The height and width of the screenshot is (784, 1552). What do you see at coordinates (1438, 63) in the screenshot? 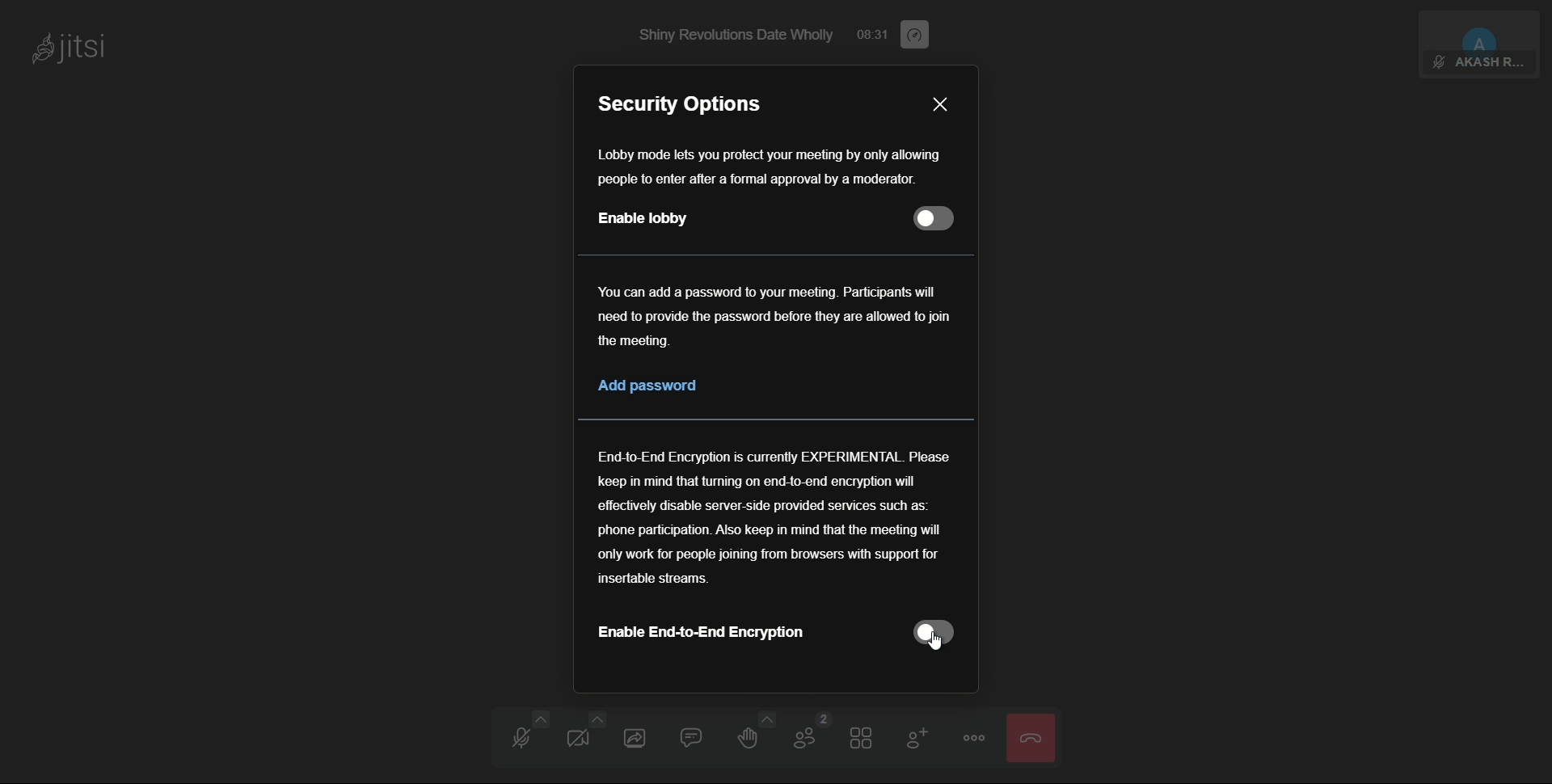
I see `mute` at bounding box center [1438, 63].